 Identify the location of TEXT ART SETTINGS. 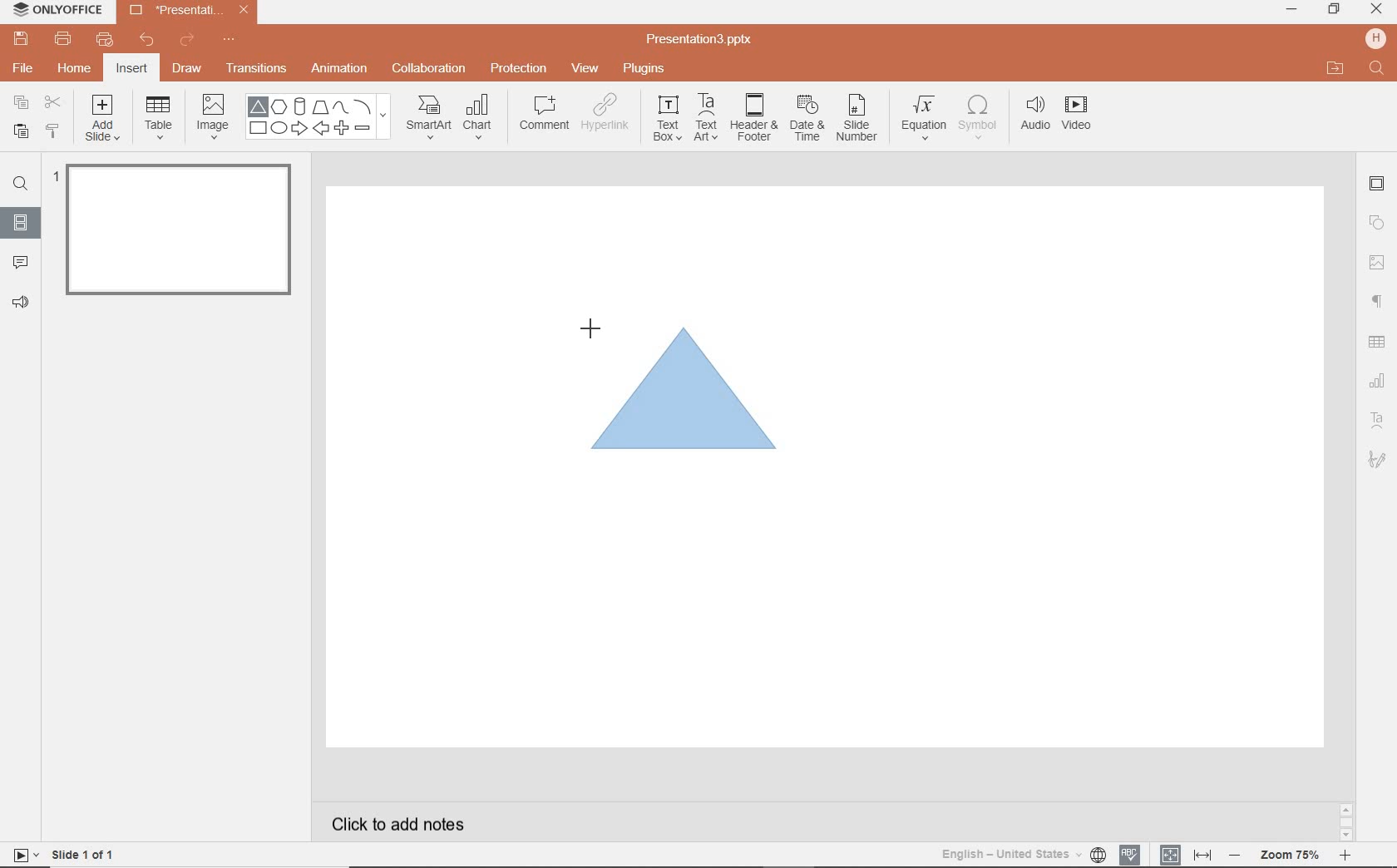
(1378, 422).